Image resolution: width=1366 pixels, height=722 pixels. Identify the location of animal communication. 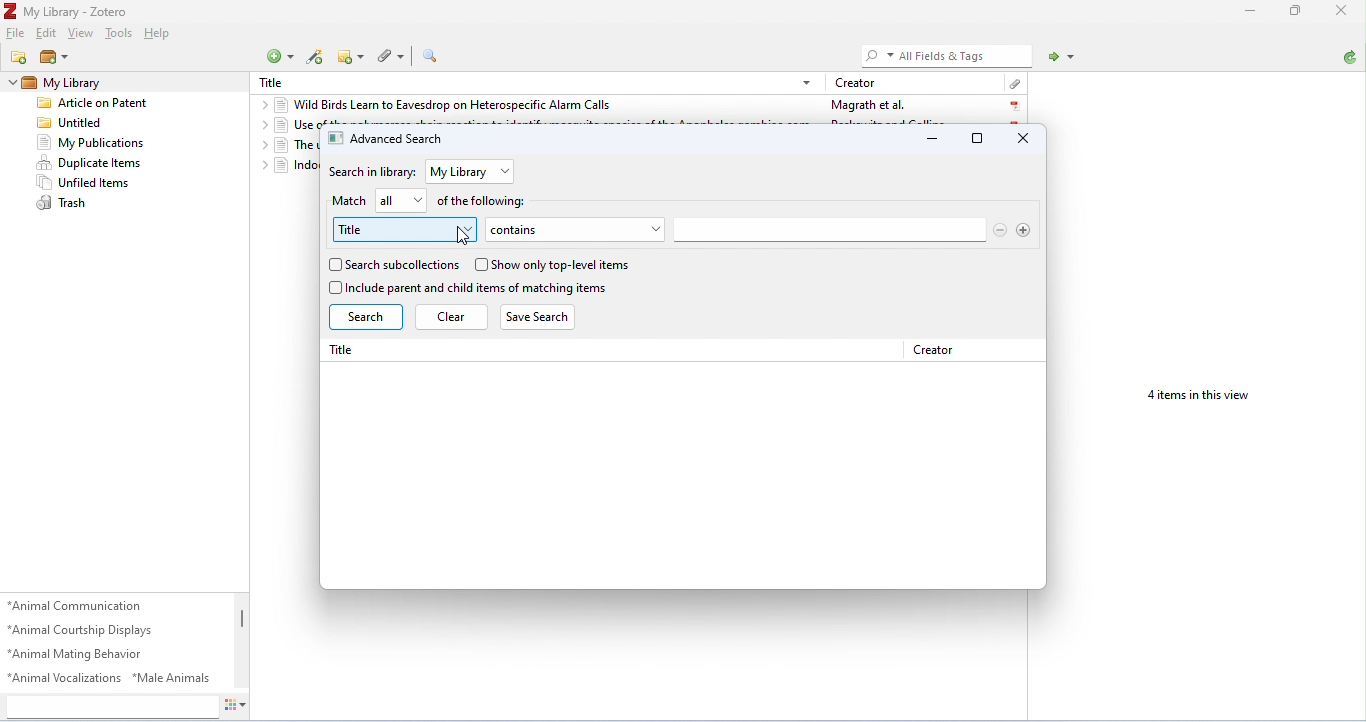
(77, 605).